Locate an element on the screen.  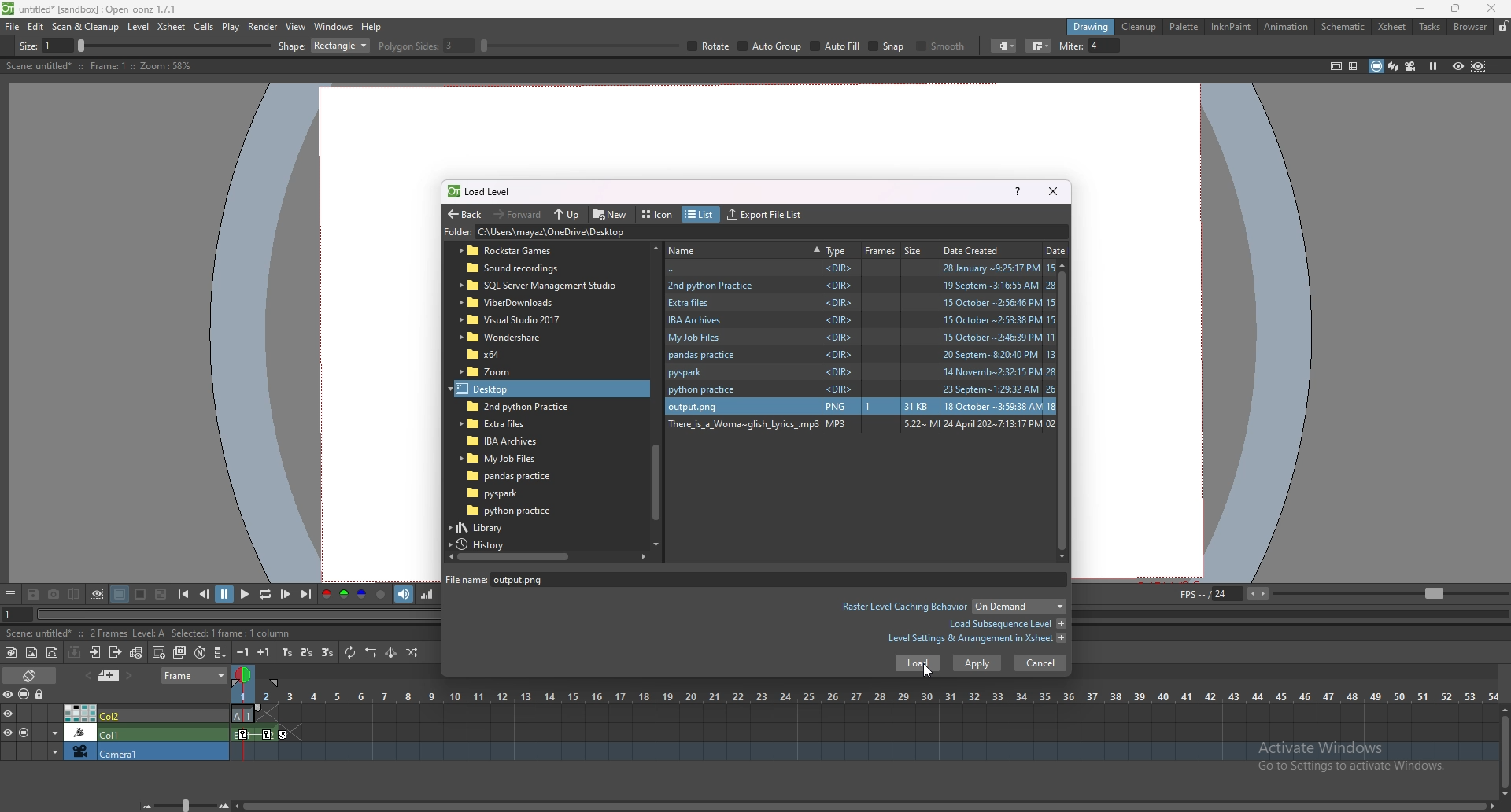
scroll bar is located at coordinates (1505, 751).